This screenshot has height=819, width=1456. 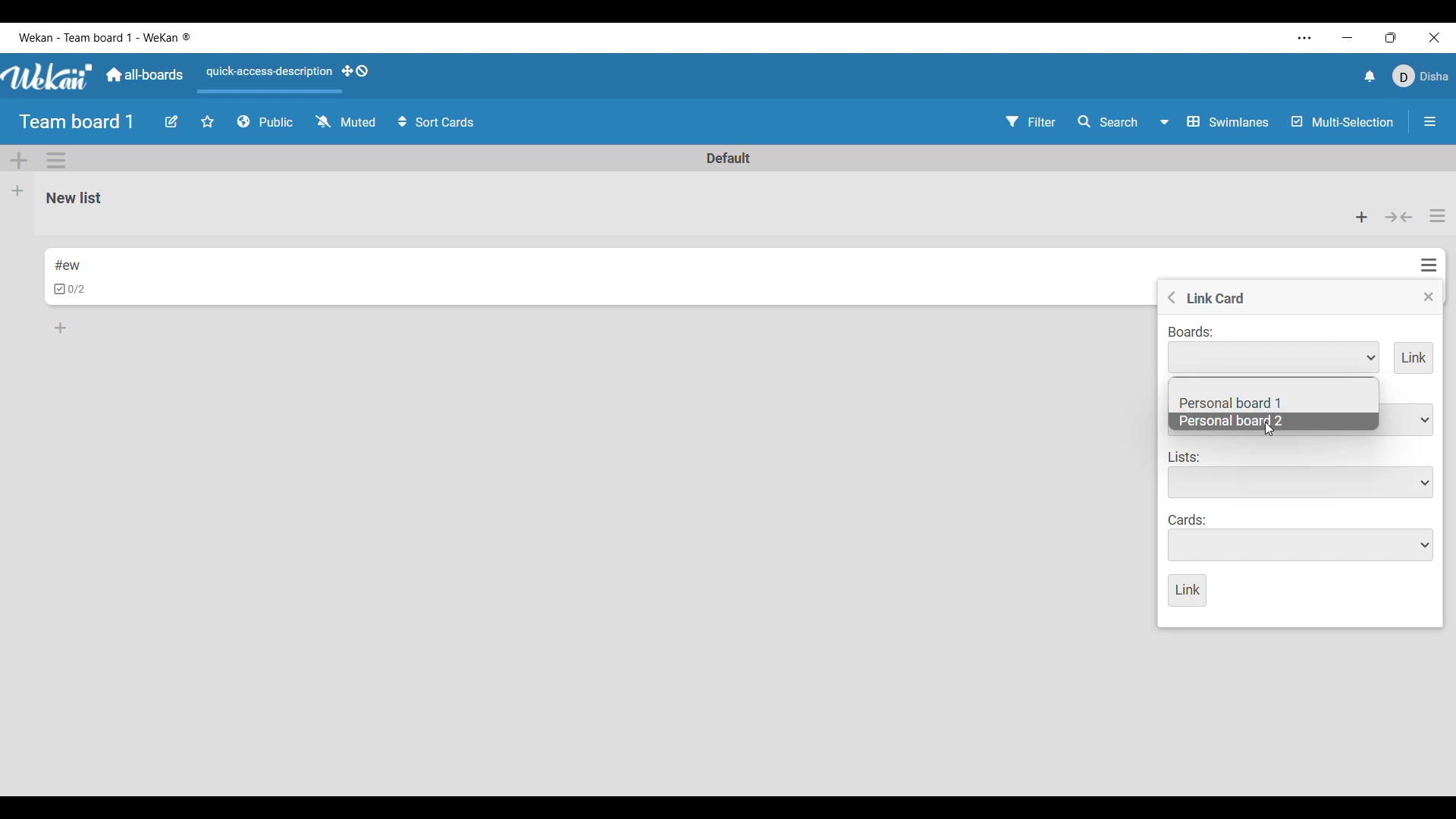 What do you see at coordinates (1217, 297) in the screenshot?
I see `Title of current setting` at bounding box center [1217, 297].